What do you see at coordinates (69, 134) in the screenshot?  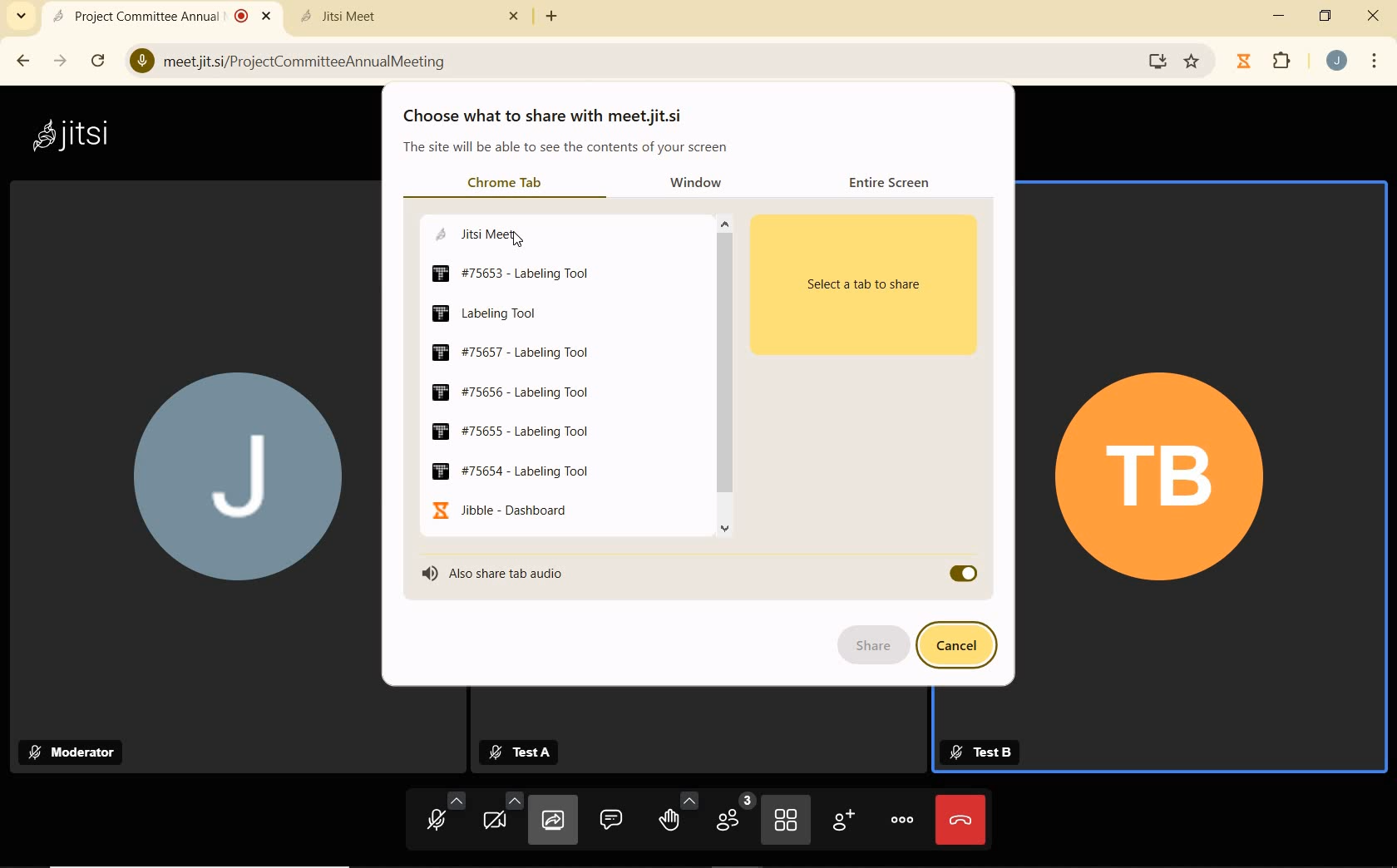 I see `jitsi` at bounding box center [69, 134].